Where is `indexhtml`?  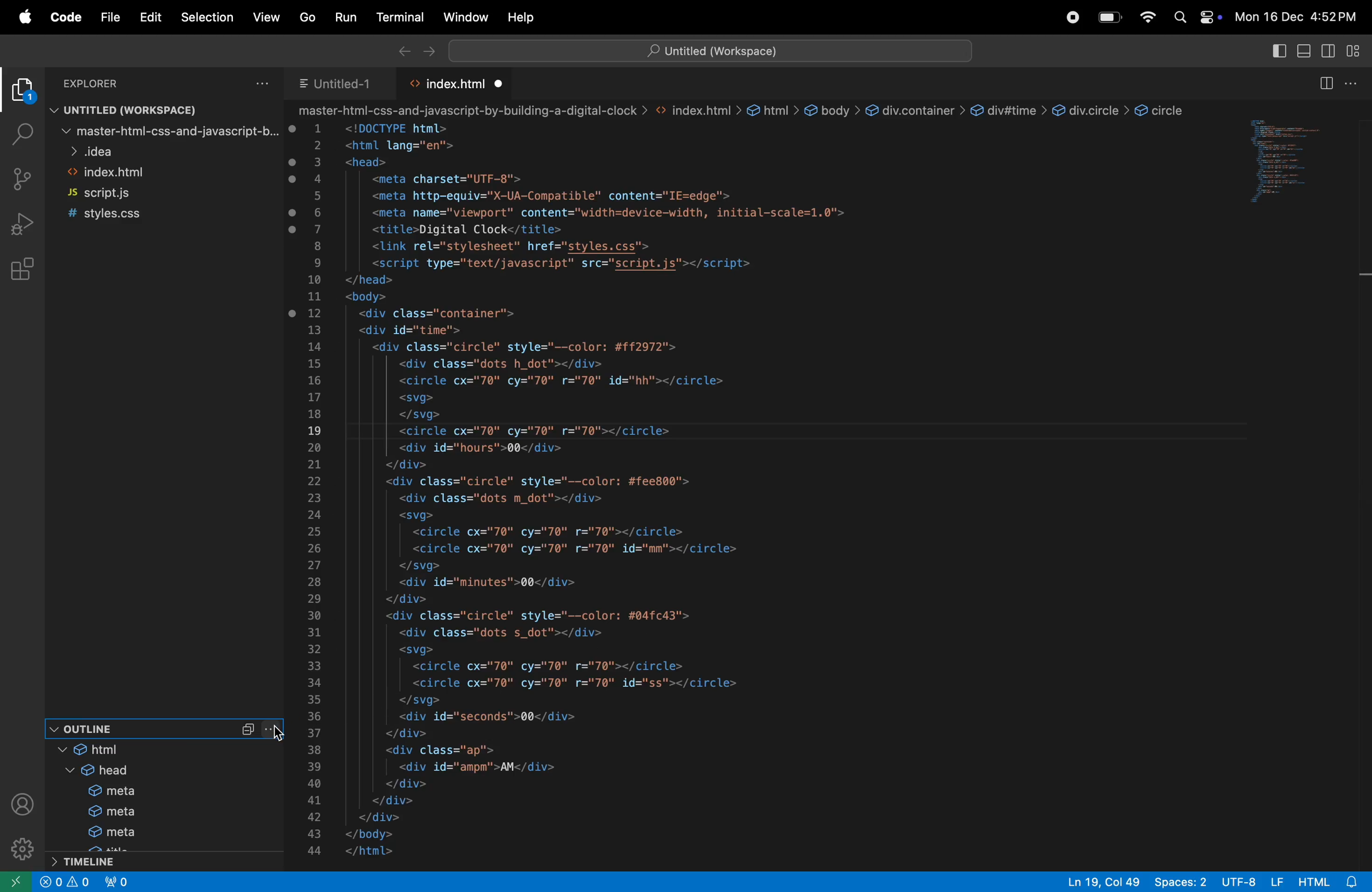 indexhtml is located at coordinates (166, 173).